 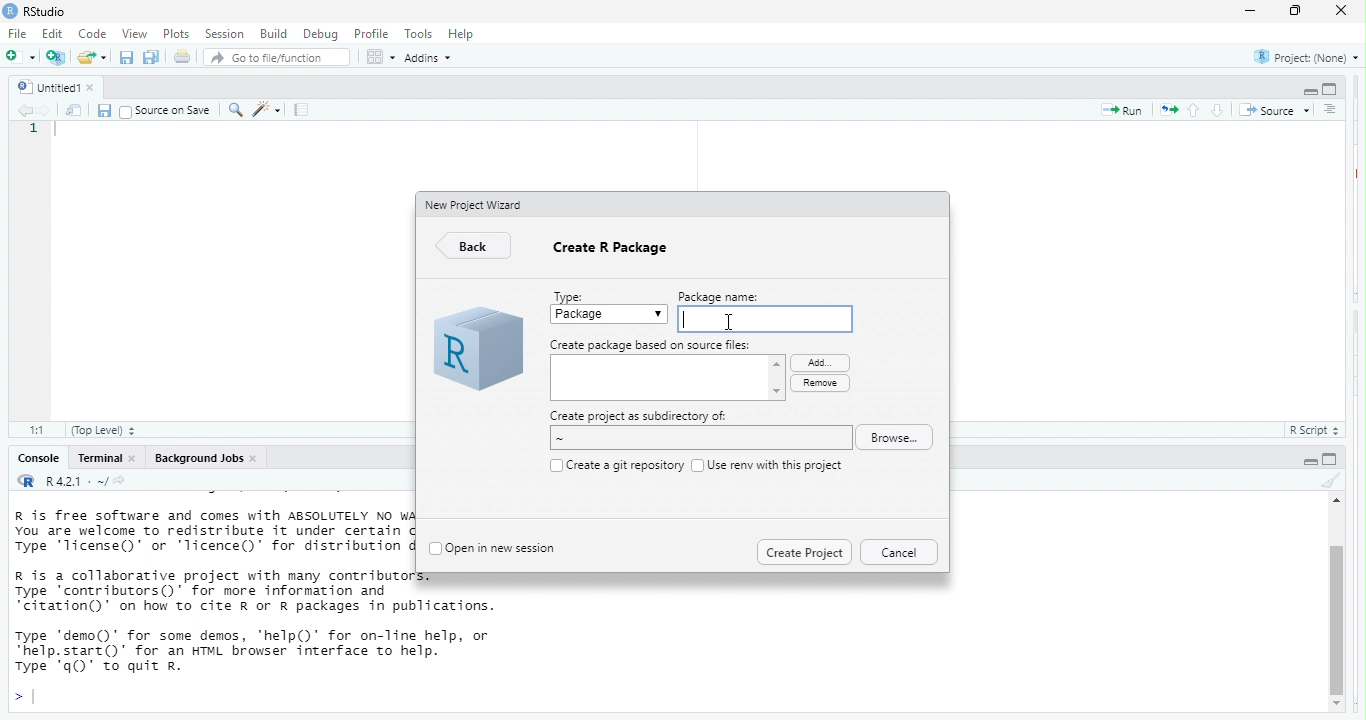 I want to click on Back, so click(x=476, y=247).